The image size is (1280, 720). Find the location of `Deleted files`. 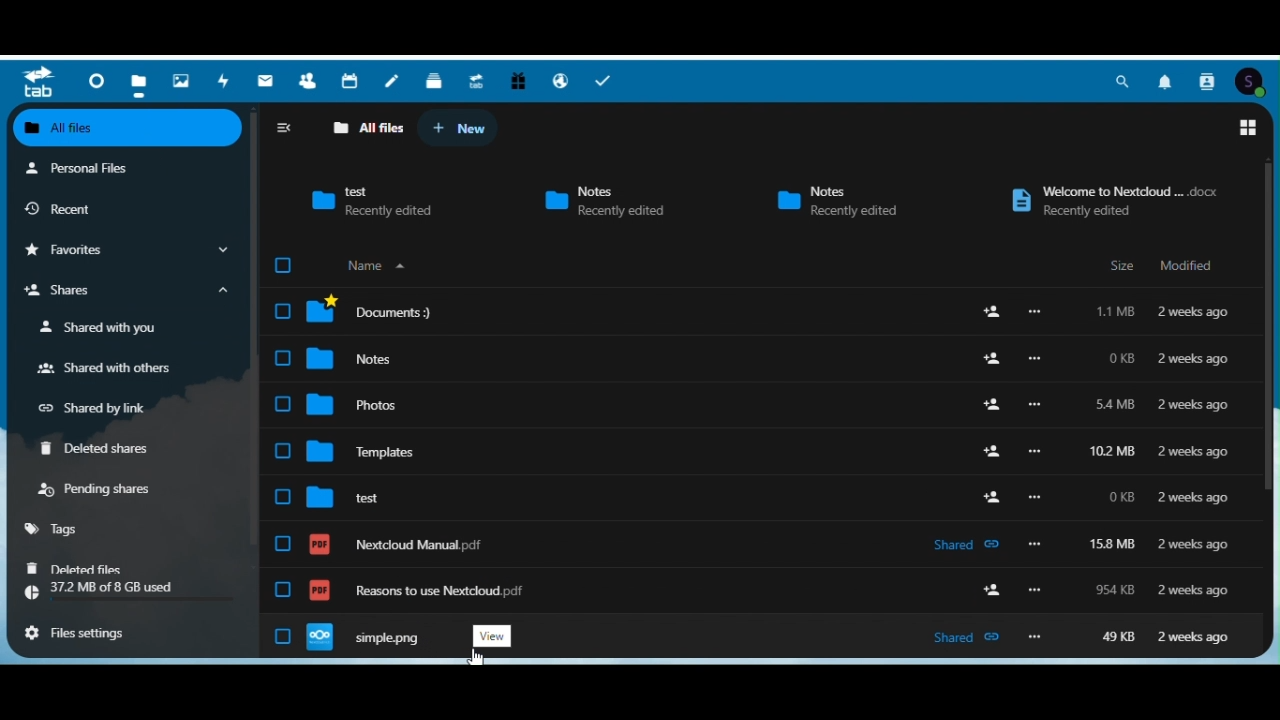

Deleted files is located at coordinates (87, 568).